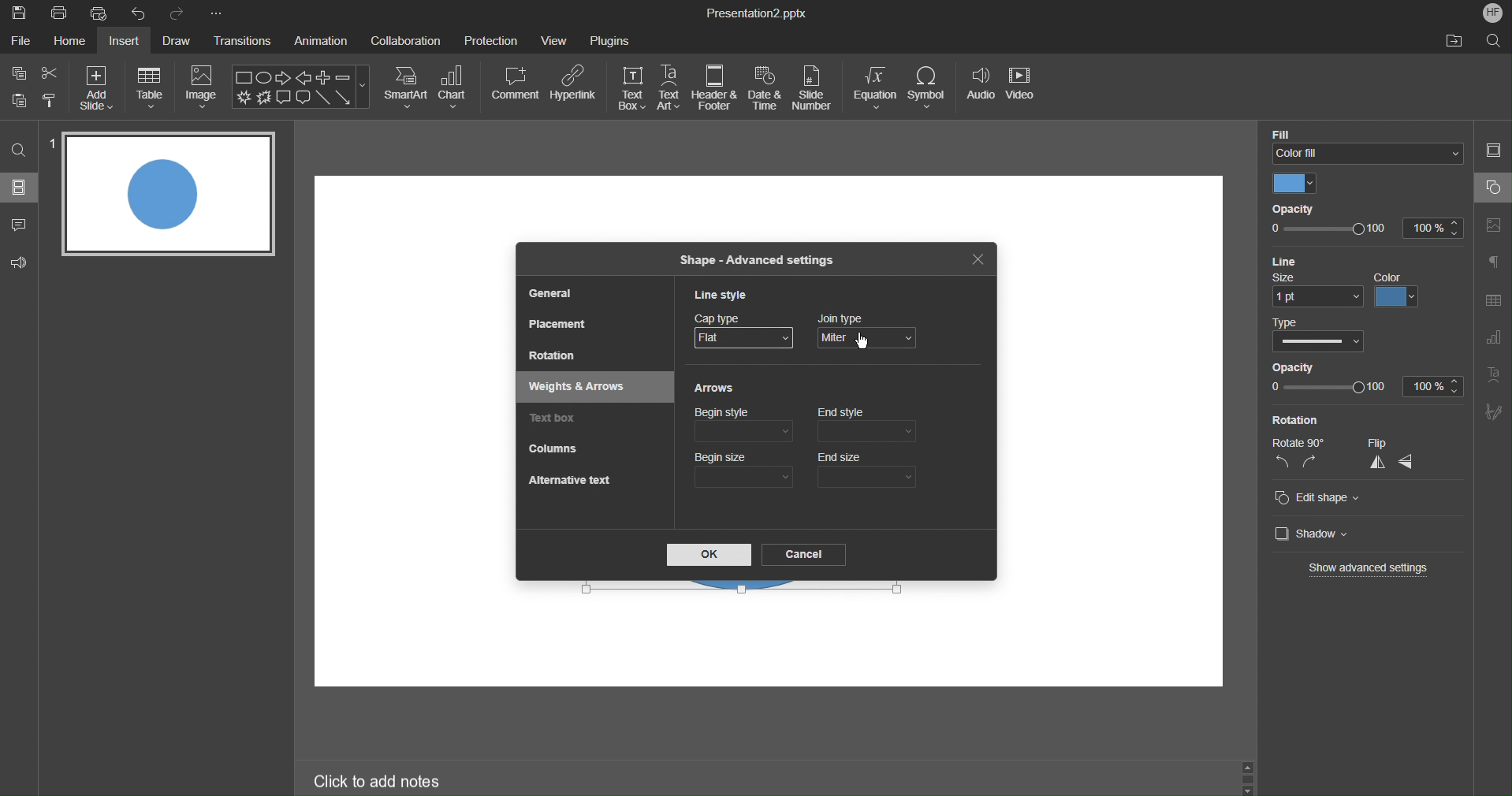 The height and width of the screenshot is (796, 1512). I want to click on 100%, so click(1430, 229).